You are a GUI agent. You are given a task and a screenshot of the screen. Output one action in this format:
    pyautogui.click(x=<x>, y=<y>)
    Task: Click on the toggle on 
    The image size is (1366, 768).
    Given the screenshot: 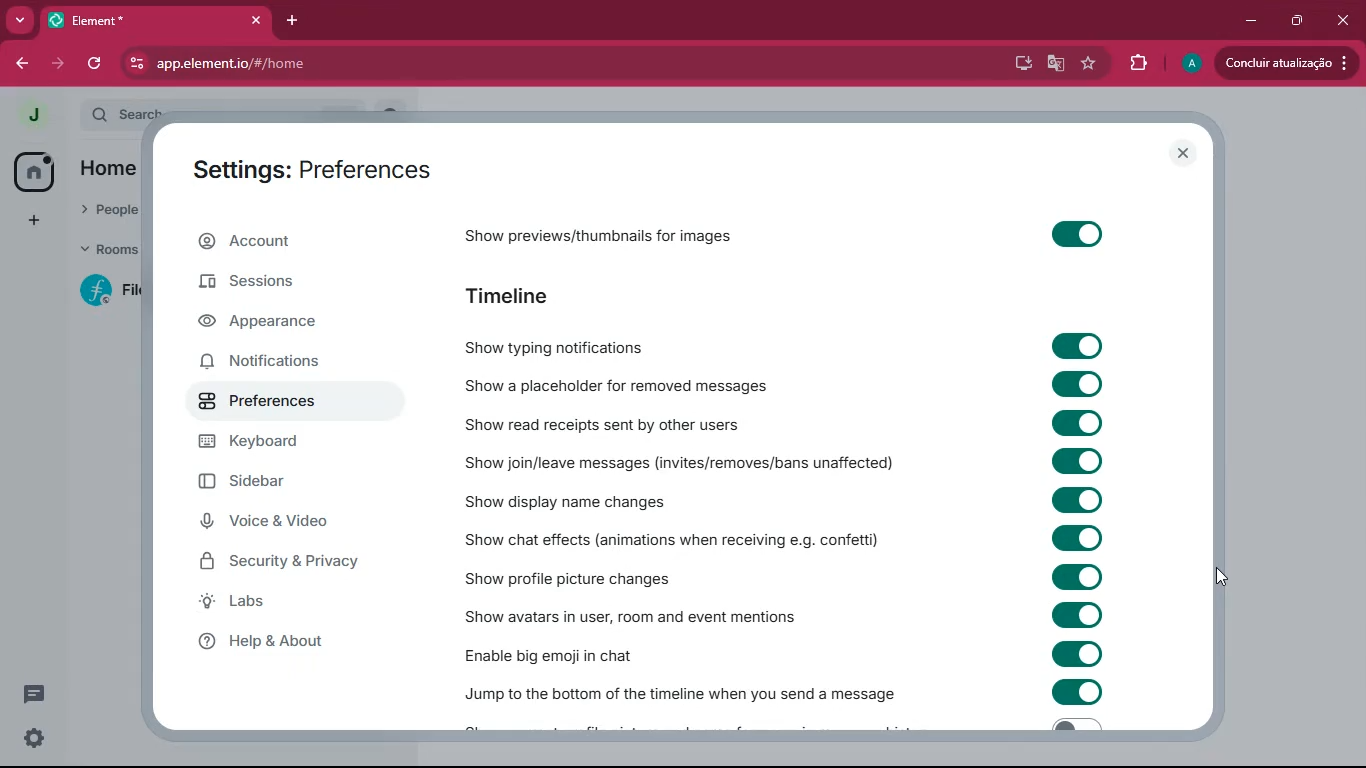 What is the action you would take?
    pyautogui.click(x=1074, y=238)
    